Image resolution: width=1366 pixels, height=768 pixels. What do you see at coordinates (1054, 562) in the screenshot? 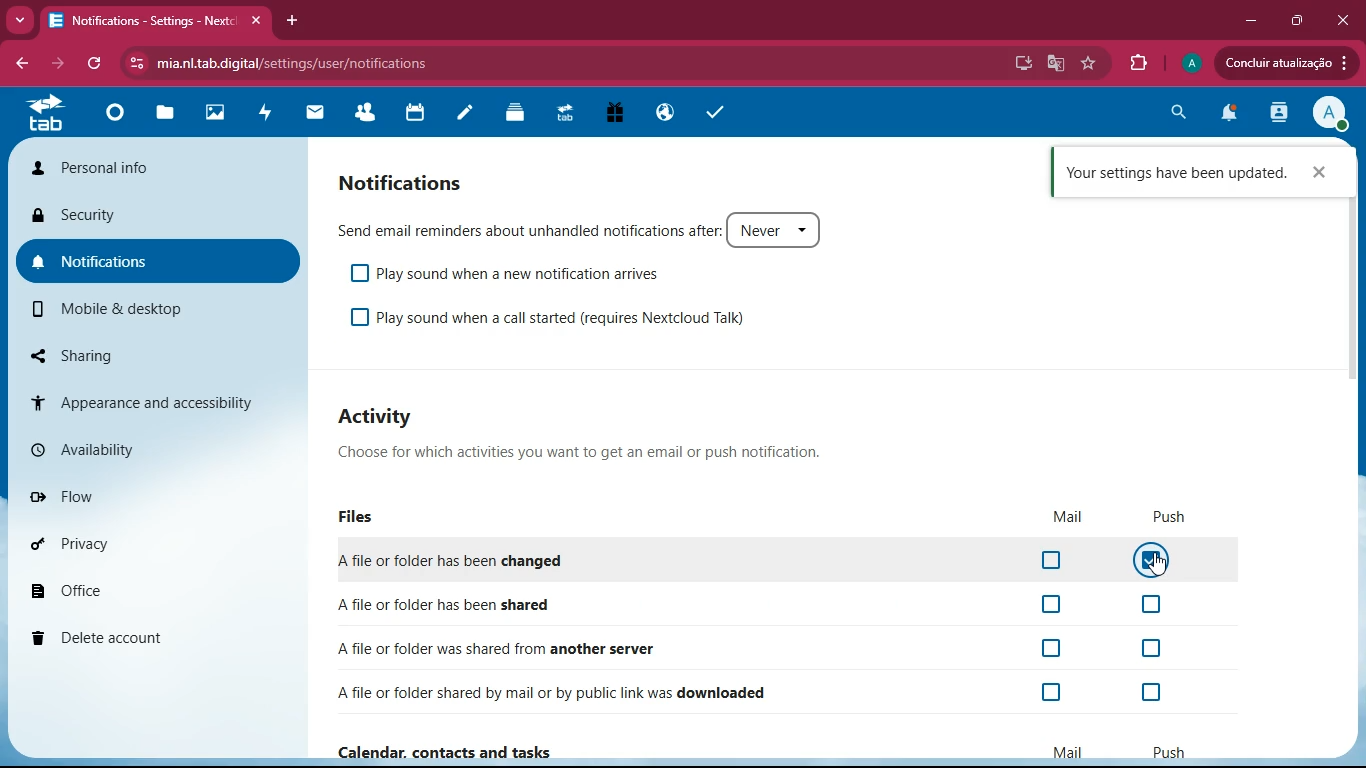
I see `off` at bounding box center [1054, 562].